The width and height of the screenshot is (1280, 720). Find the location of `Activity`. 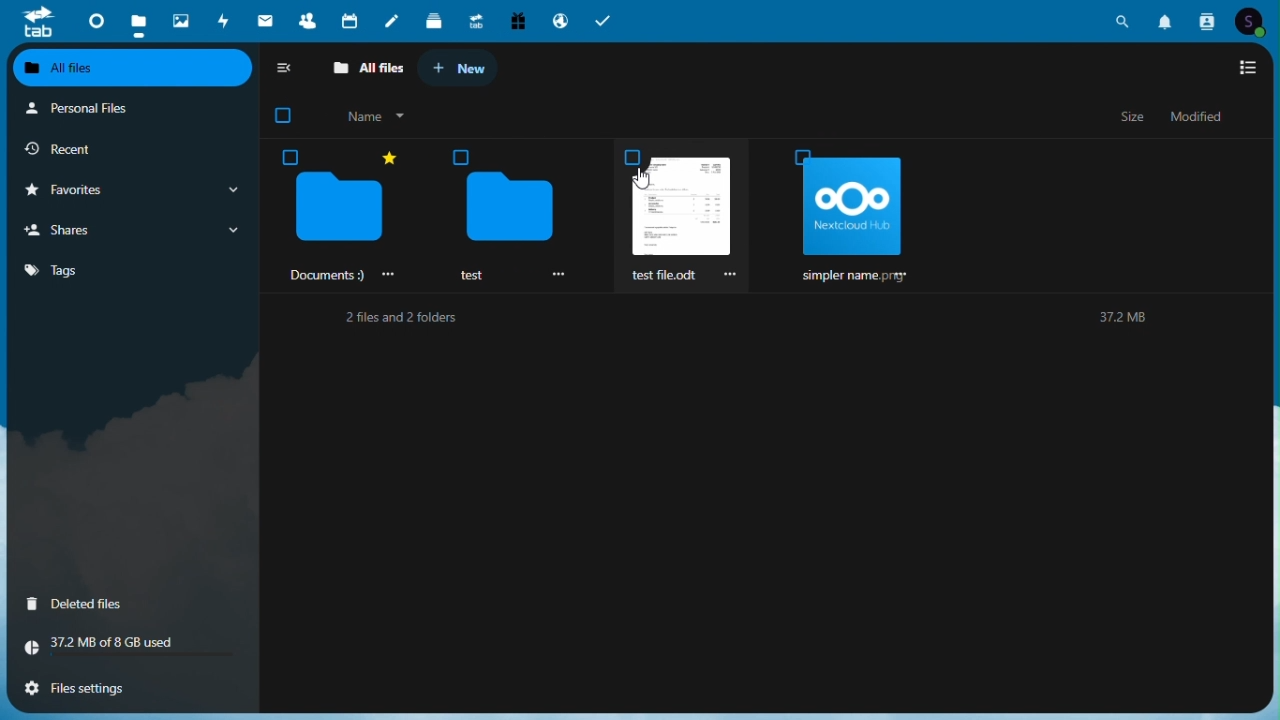

Activity is located at coordinates (227, 21).